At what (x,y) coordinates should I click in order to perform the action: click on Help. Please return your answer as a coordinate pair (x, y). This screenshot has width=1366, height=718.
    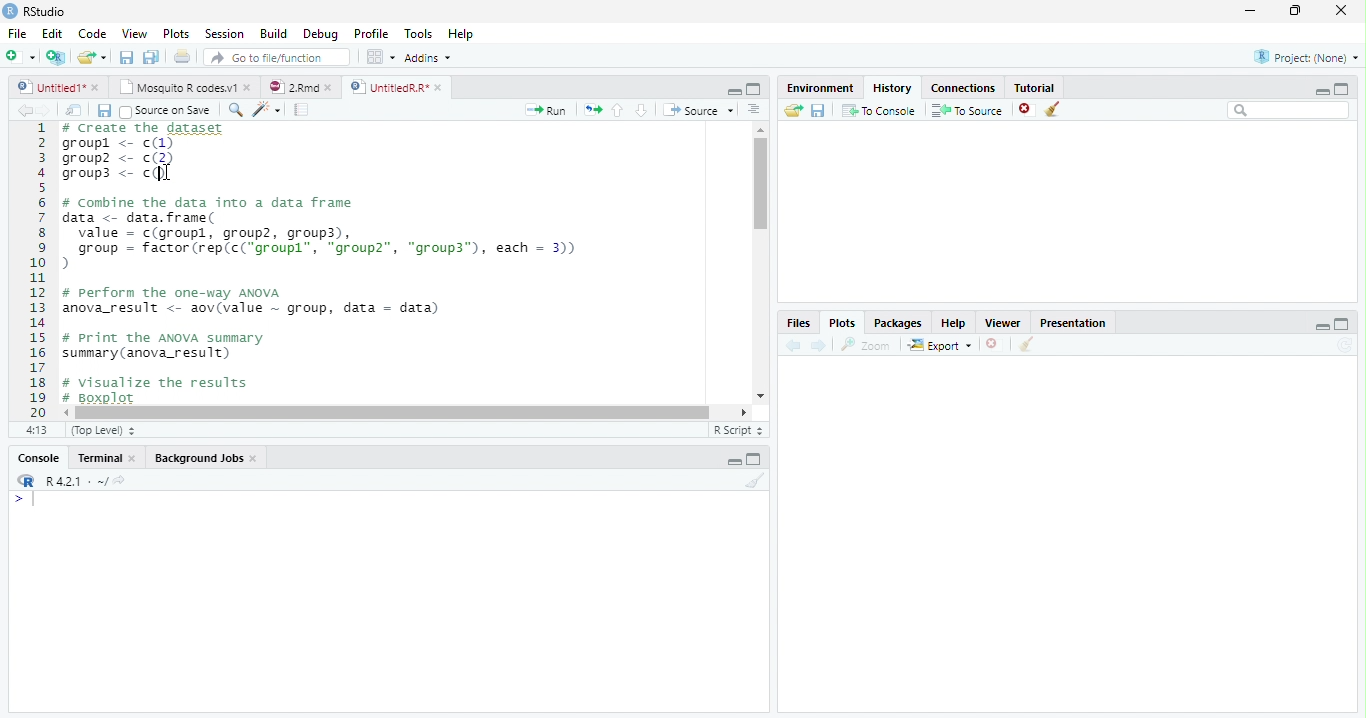
    Looking at the image, I should click on (460, 36).